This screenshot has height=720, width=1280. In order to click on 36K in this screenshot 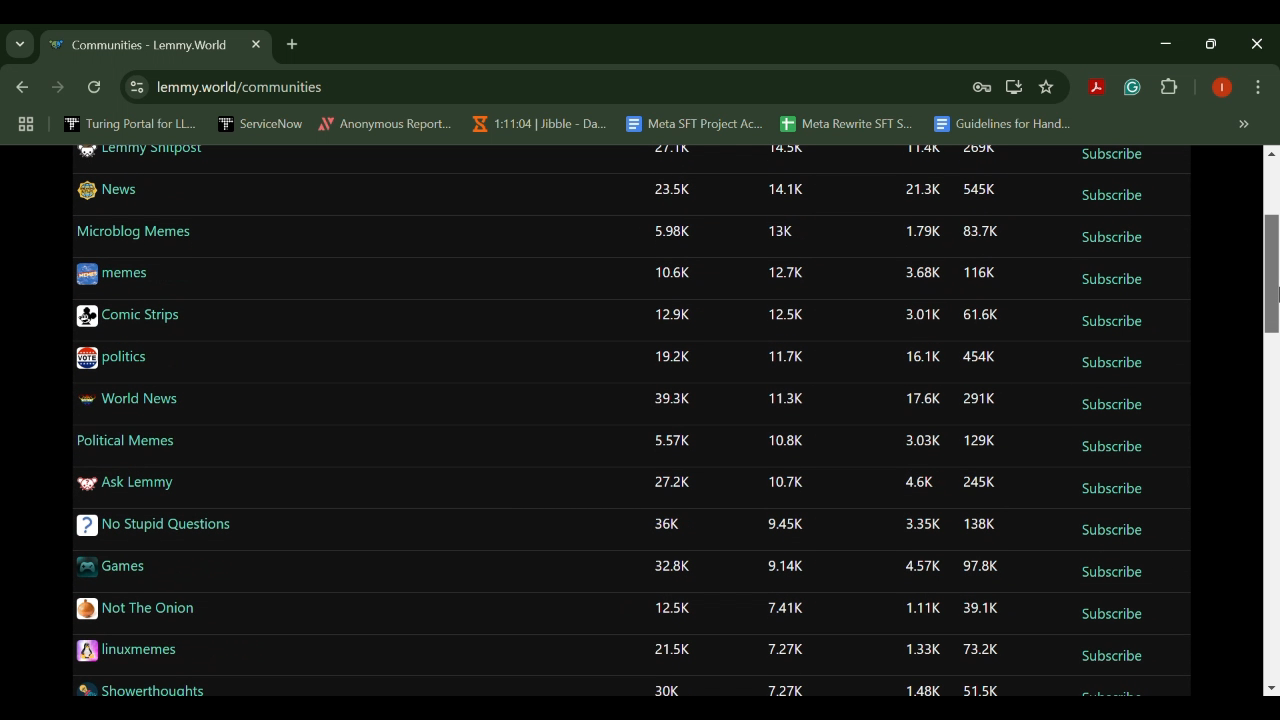, I will do `click(669, 529)`.